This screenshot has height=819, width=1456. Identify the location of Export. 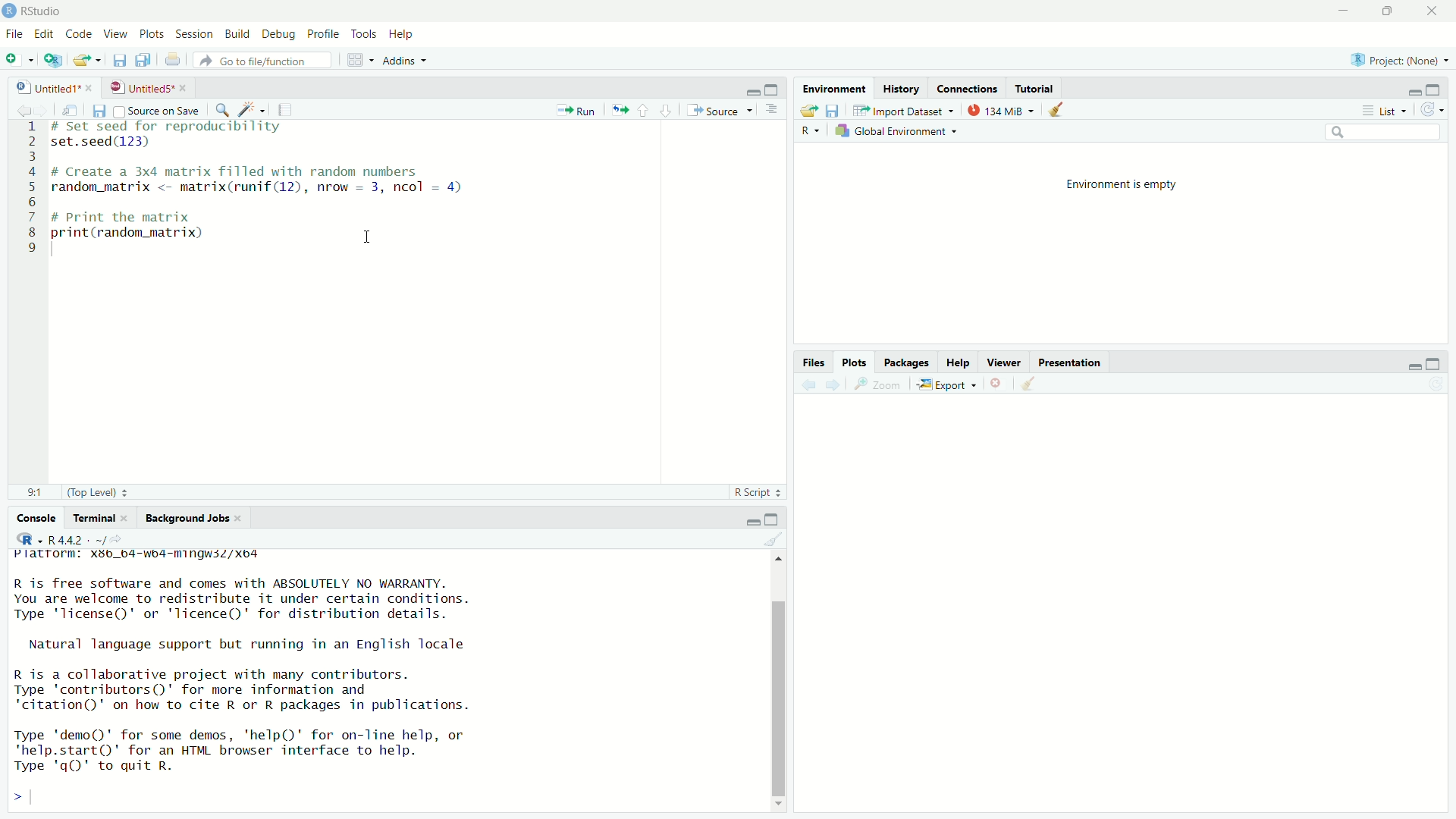
(944, 386).